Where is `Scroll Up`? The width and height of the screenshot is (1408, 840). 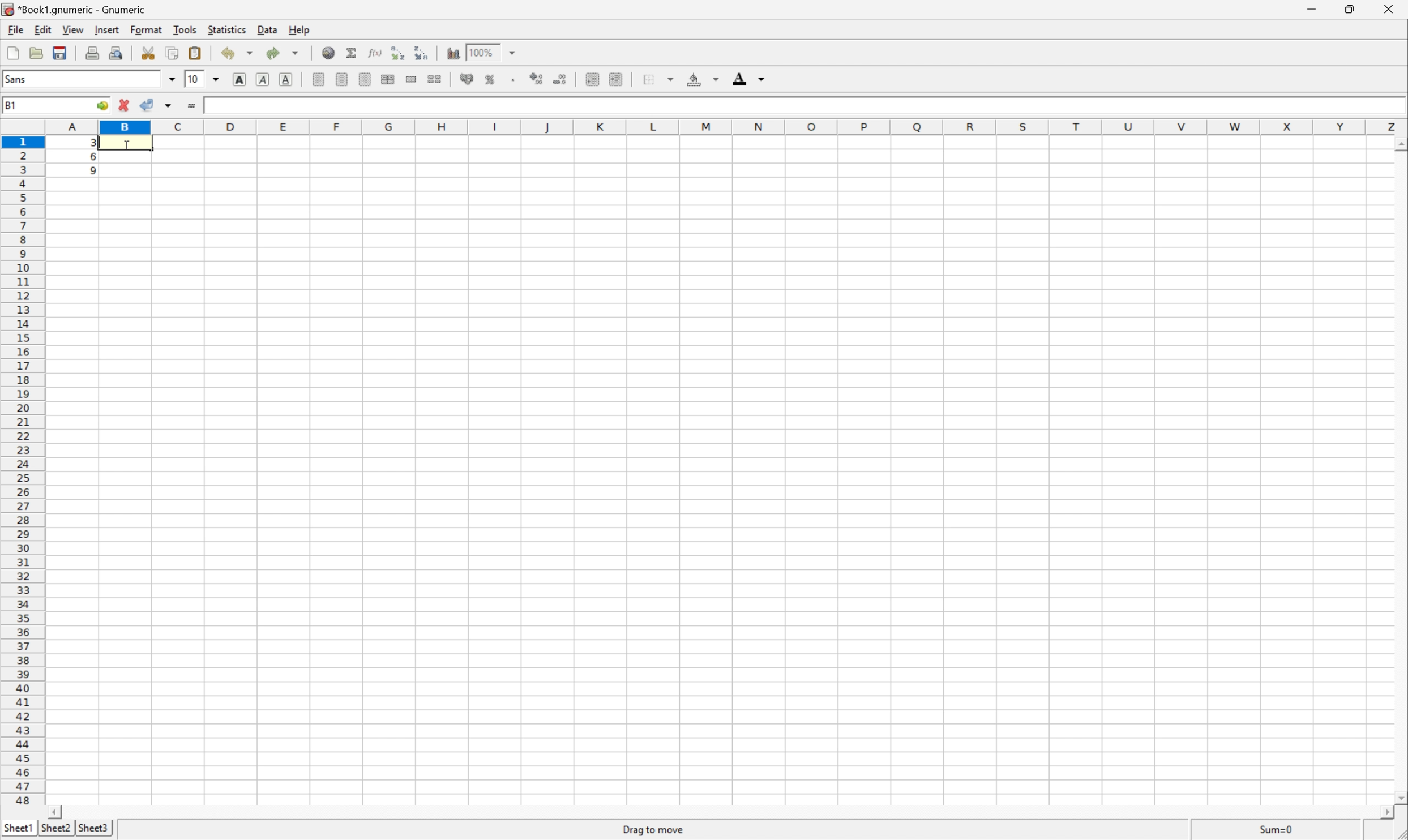
Scroll Up is located at coordinates (1399, 144).